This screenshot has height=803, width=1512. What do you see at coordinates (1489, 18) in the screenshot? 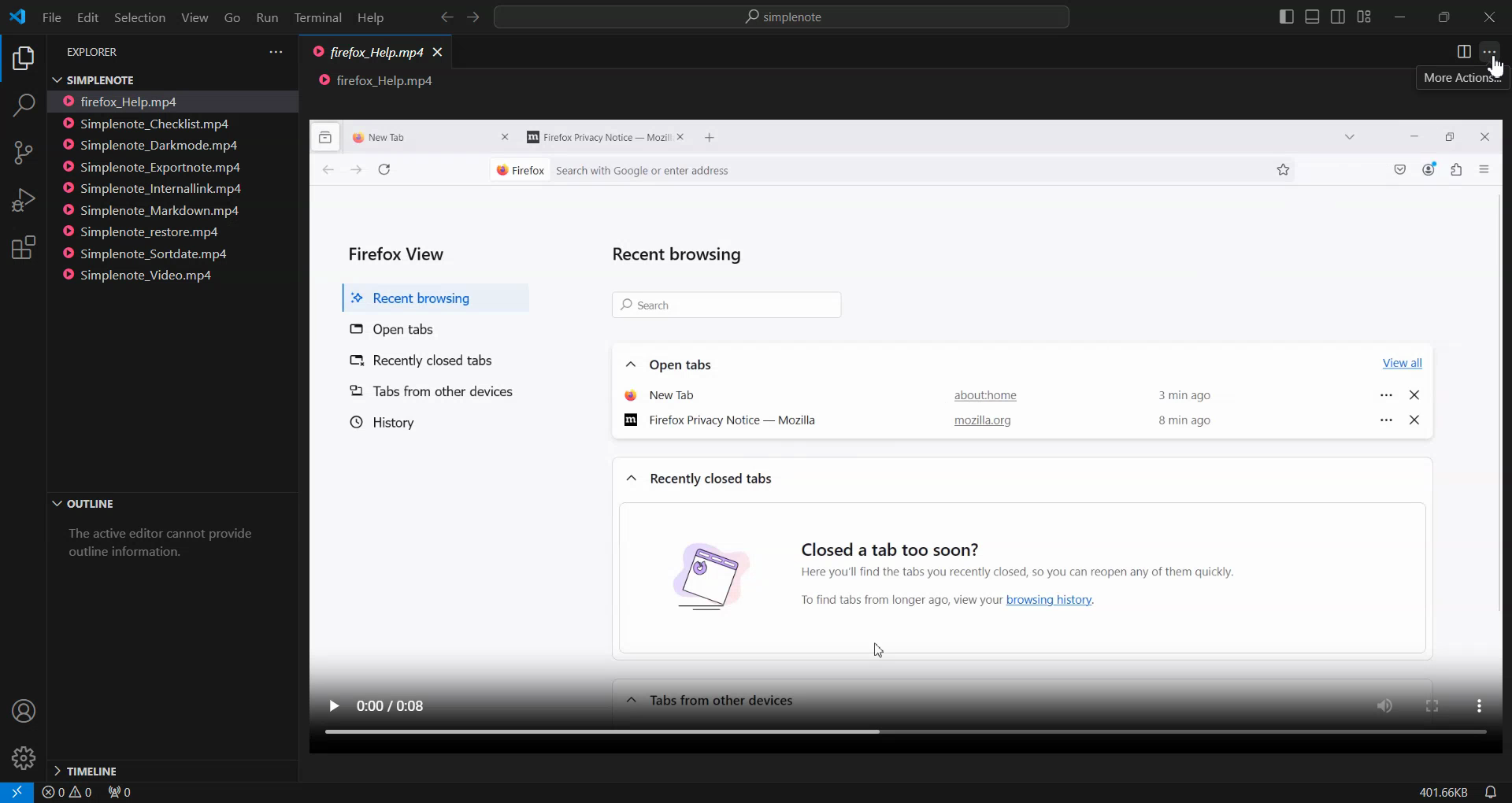
I see `Close` at bounding box center [1489, 18].